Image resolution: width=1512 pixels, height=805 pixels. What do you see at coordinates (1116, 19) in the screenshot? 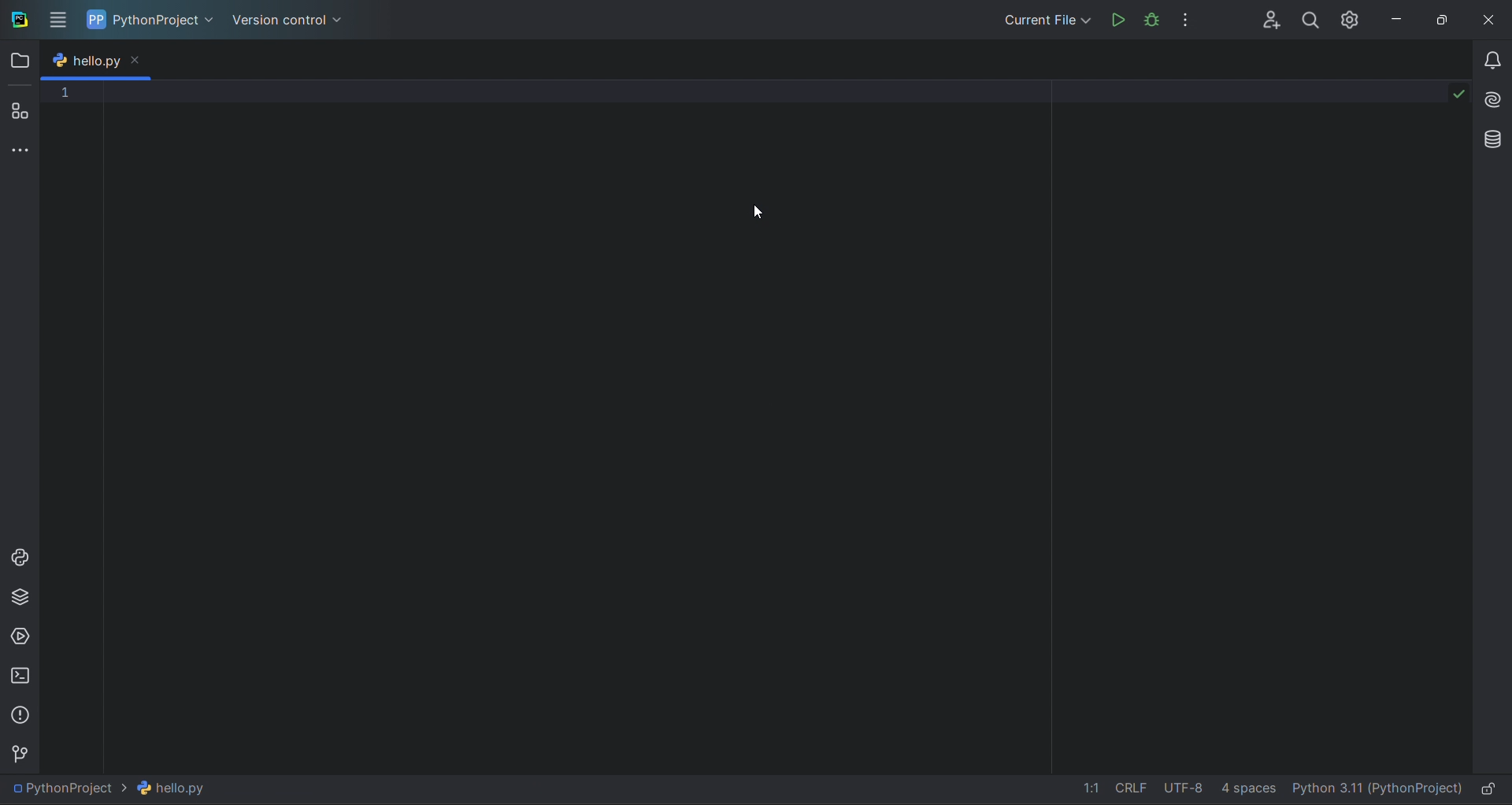
I see `run` at bounding box center [1116, 19].